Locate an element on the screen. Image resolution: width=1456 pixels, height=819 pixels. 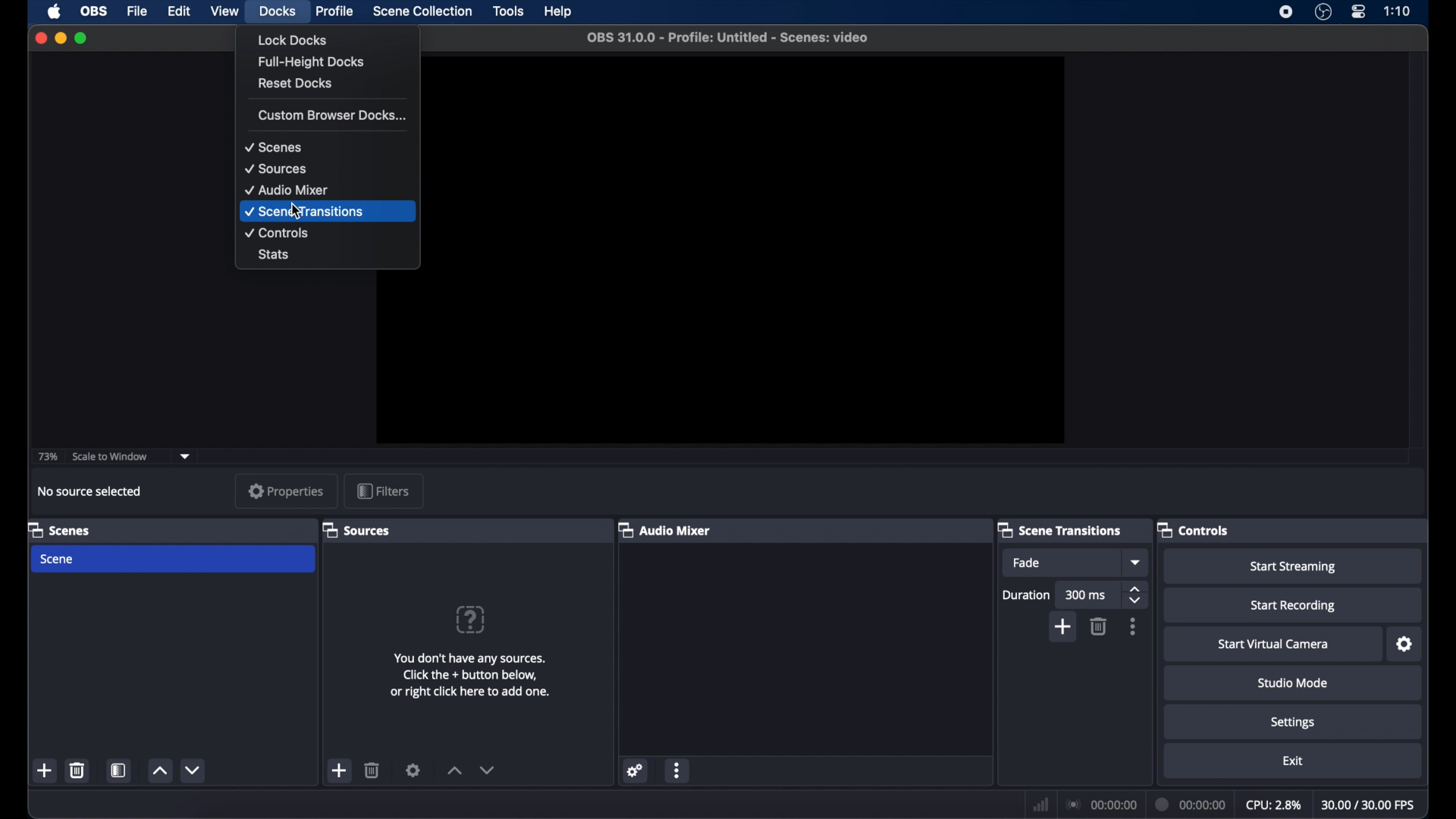
start streaming is located at coordinates (1294, 567).